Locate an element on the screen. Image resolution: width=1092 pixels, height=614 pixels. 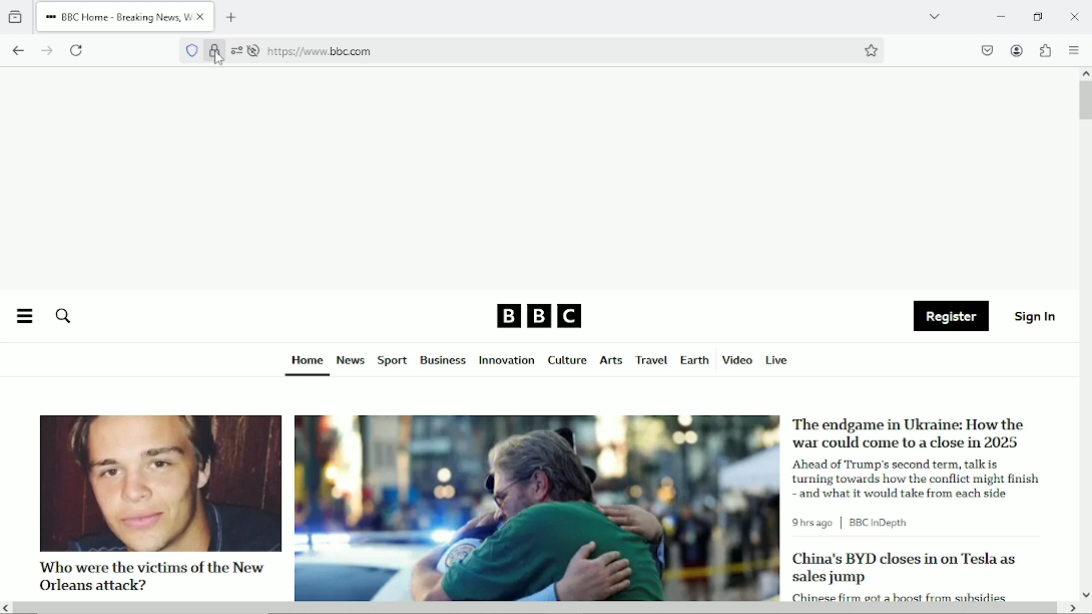
The endgame in Ukraine: How the war could come to a close in 2025 is located at coordinates (911, 433).